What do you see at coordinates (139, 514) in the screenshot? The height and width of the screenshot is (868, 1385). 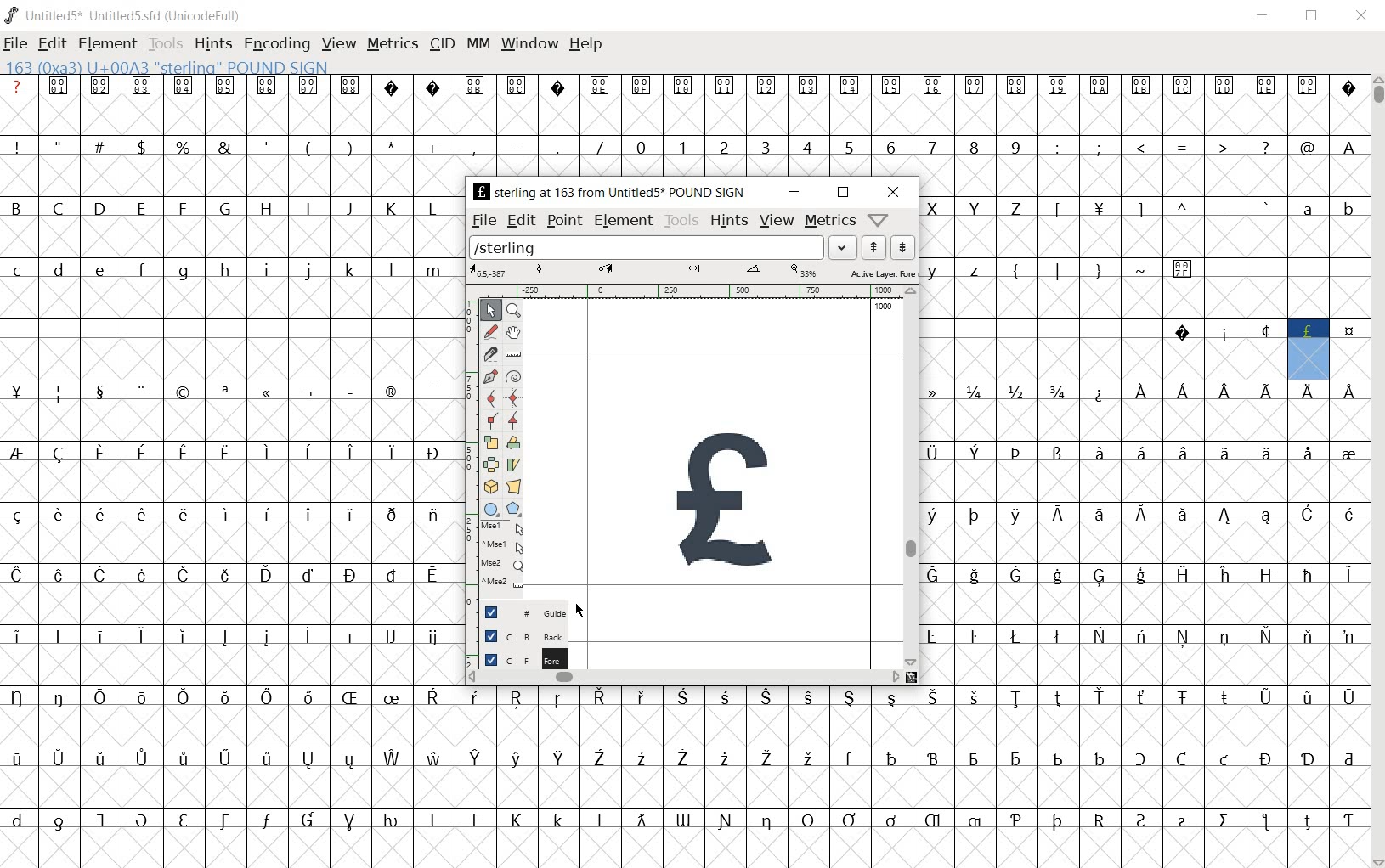 I see `Symbol` at bounding box center [139, 514].